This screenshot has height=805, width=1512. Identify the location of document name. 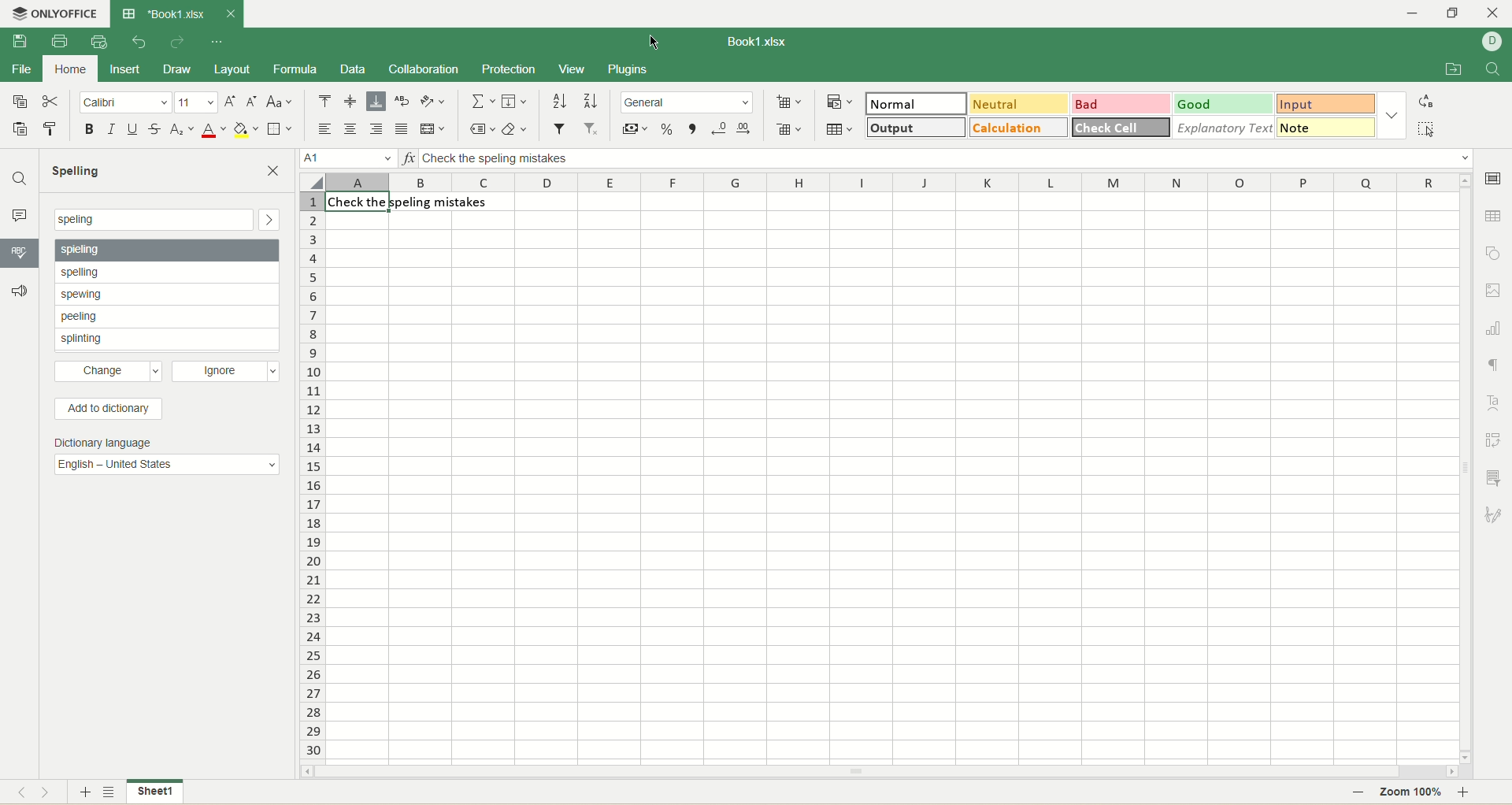
(757, 42).